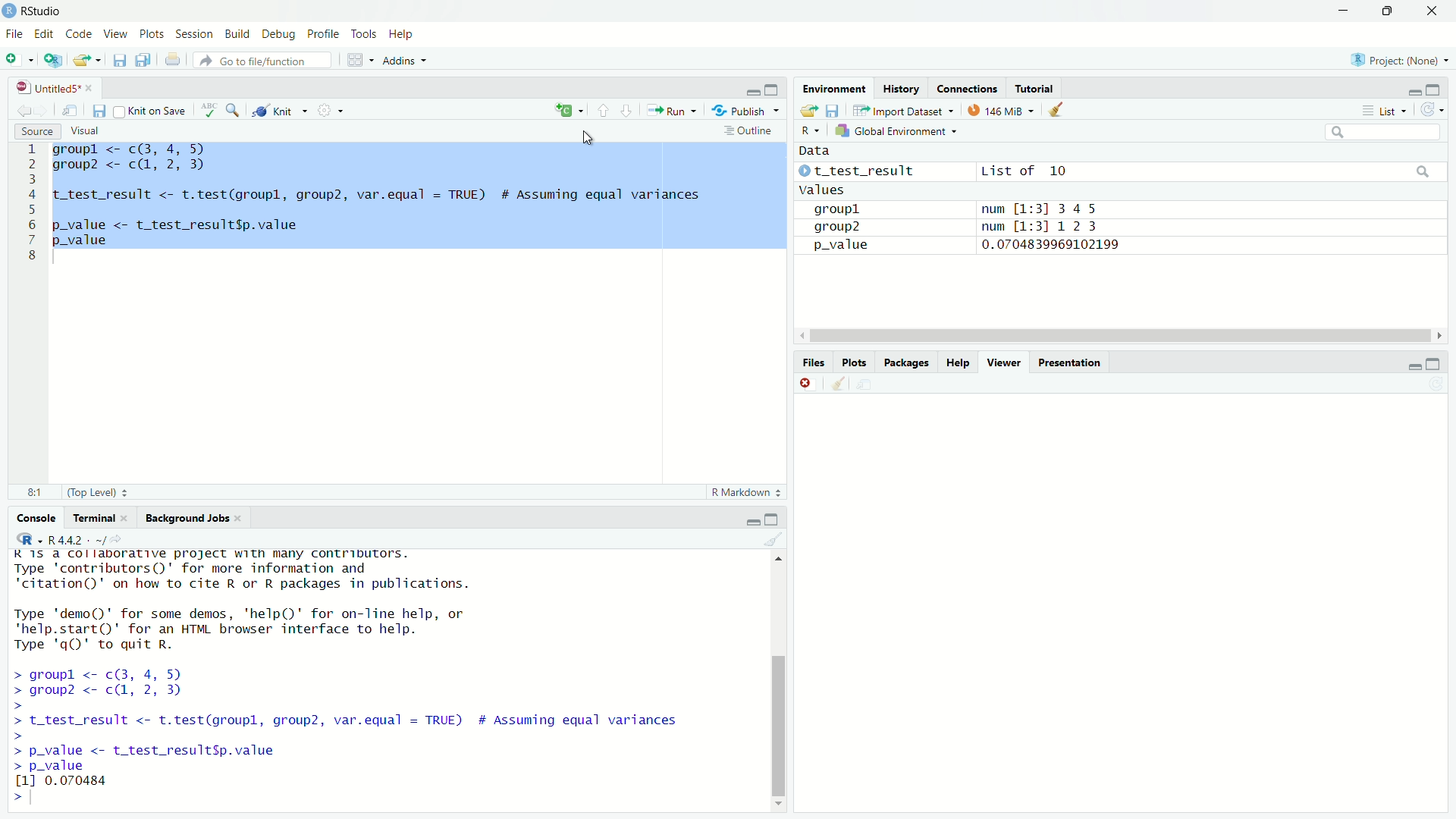 The height and width of the screenshot is (819, 1456). What do you see at coordinates (833, 110) in the screenshot?
I see `save workspace as` at bounding box center [833, 110].